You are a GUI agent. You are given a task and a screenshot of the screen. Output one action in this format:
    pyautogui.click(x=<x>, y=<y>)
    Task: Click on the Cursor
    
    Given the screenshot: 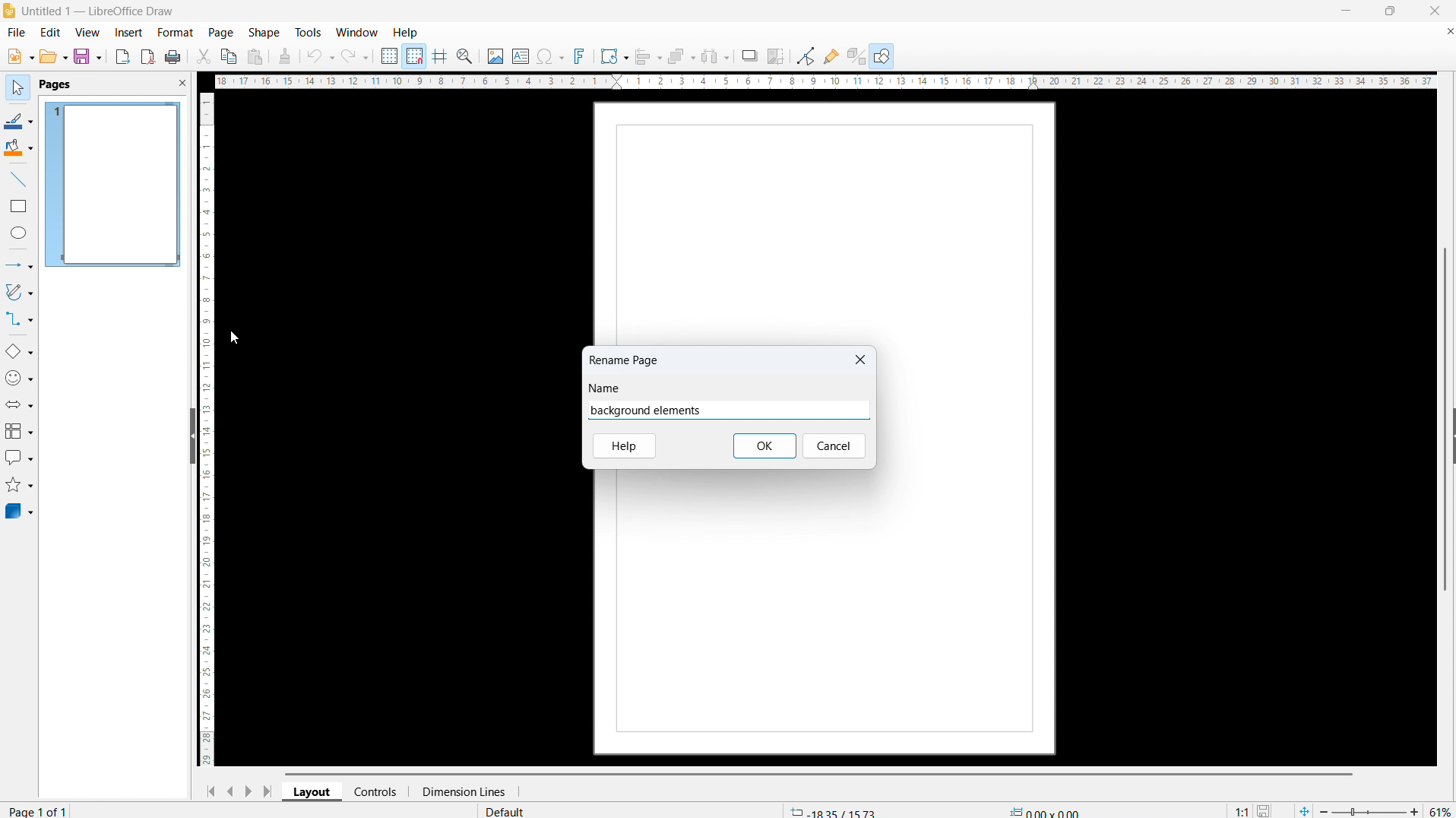 What is the action you would take?
    pyautogui.click(x=236, y=339)
    